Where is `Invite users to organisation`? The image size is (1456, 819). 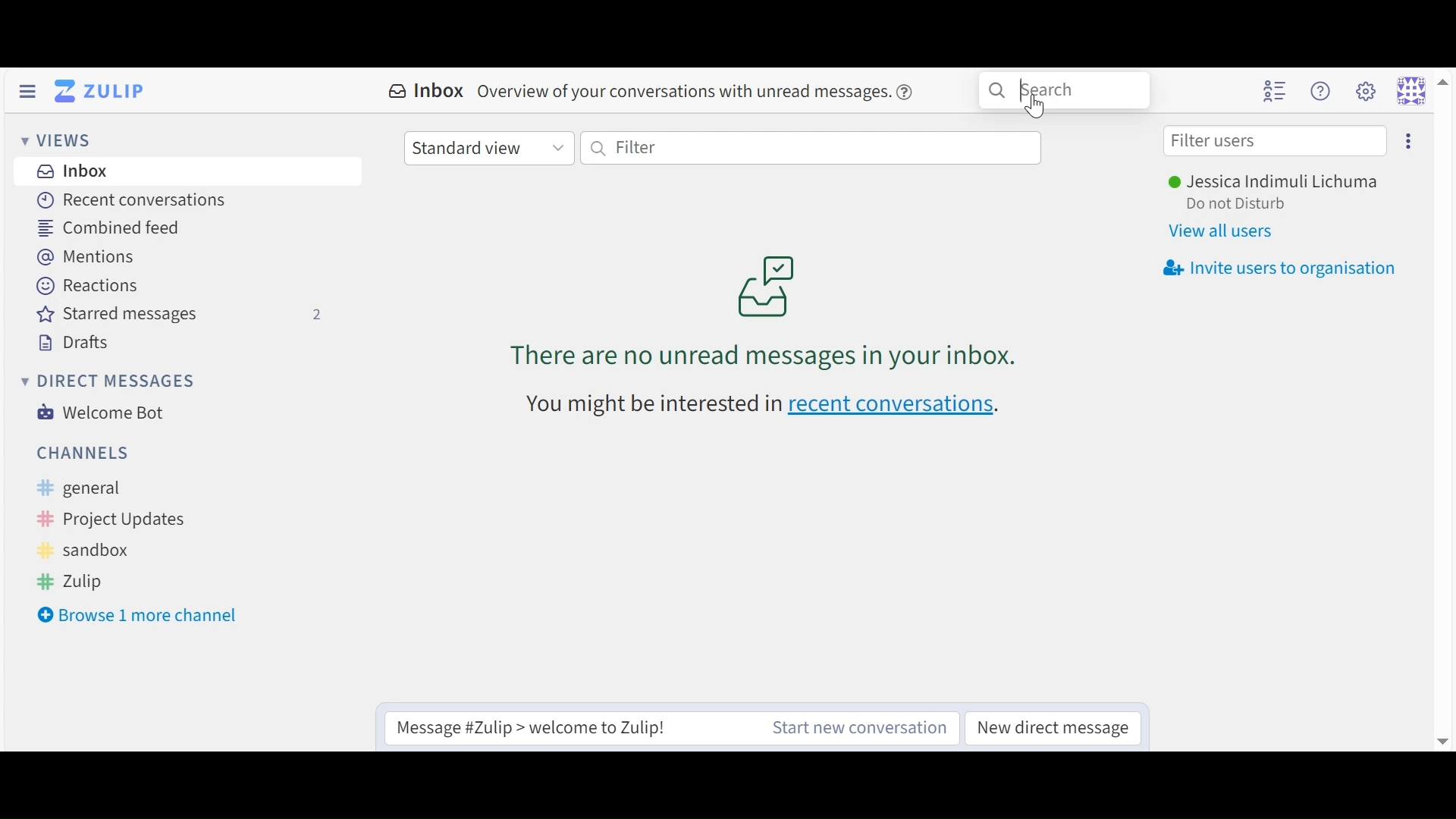 Invite users to organisation is located at coordinates (1281, 269).